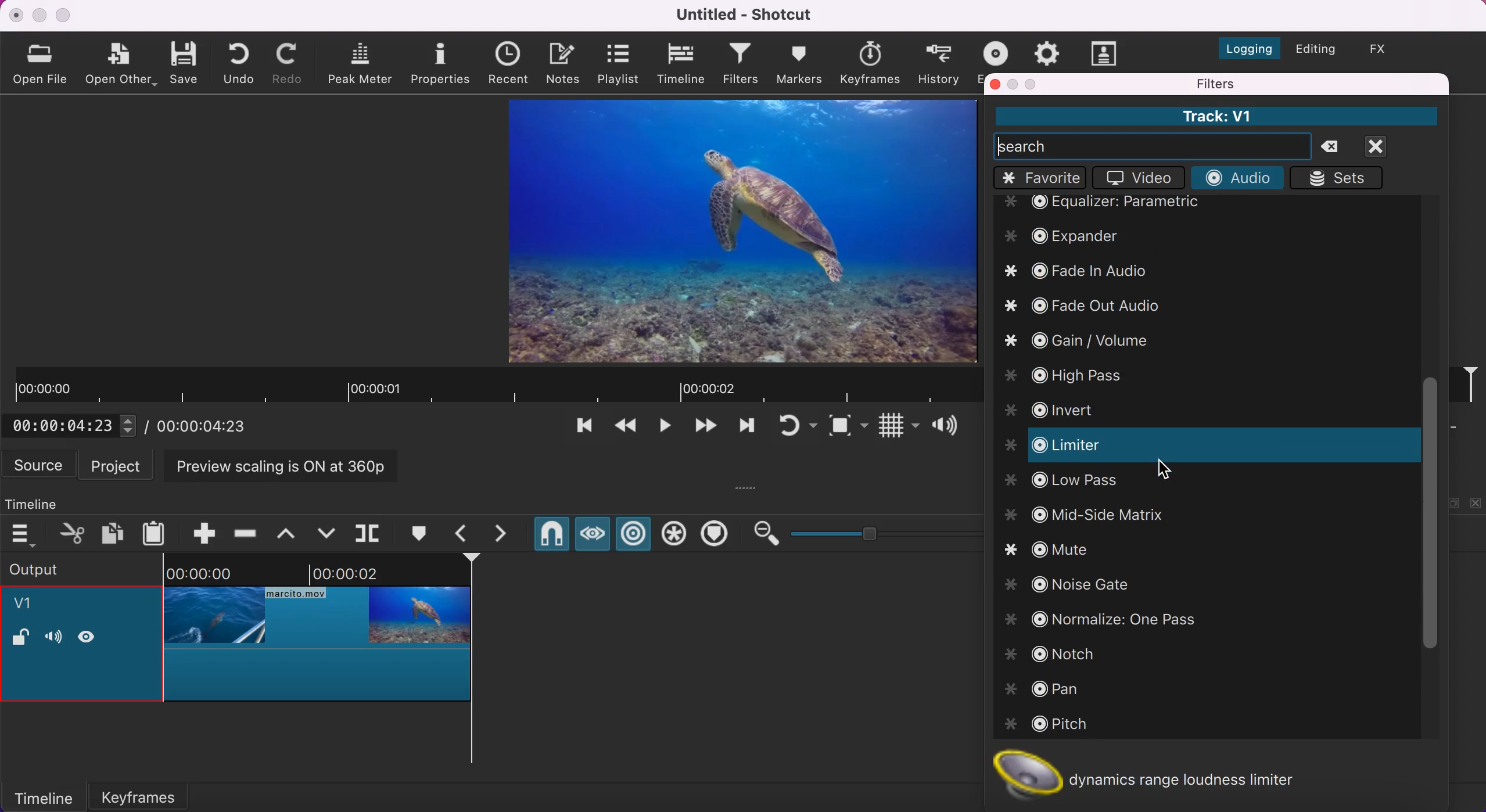  I want to click on snap, so click(551, 536).